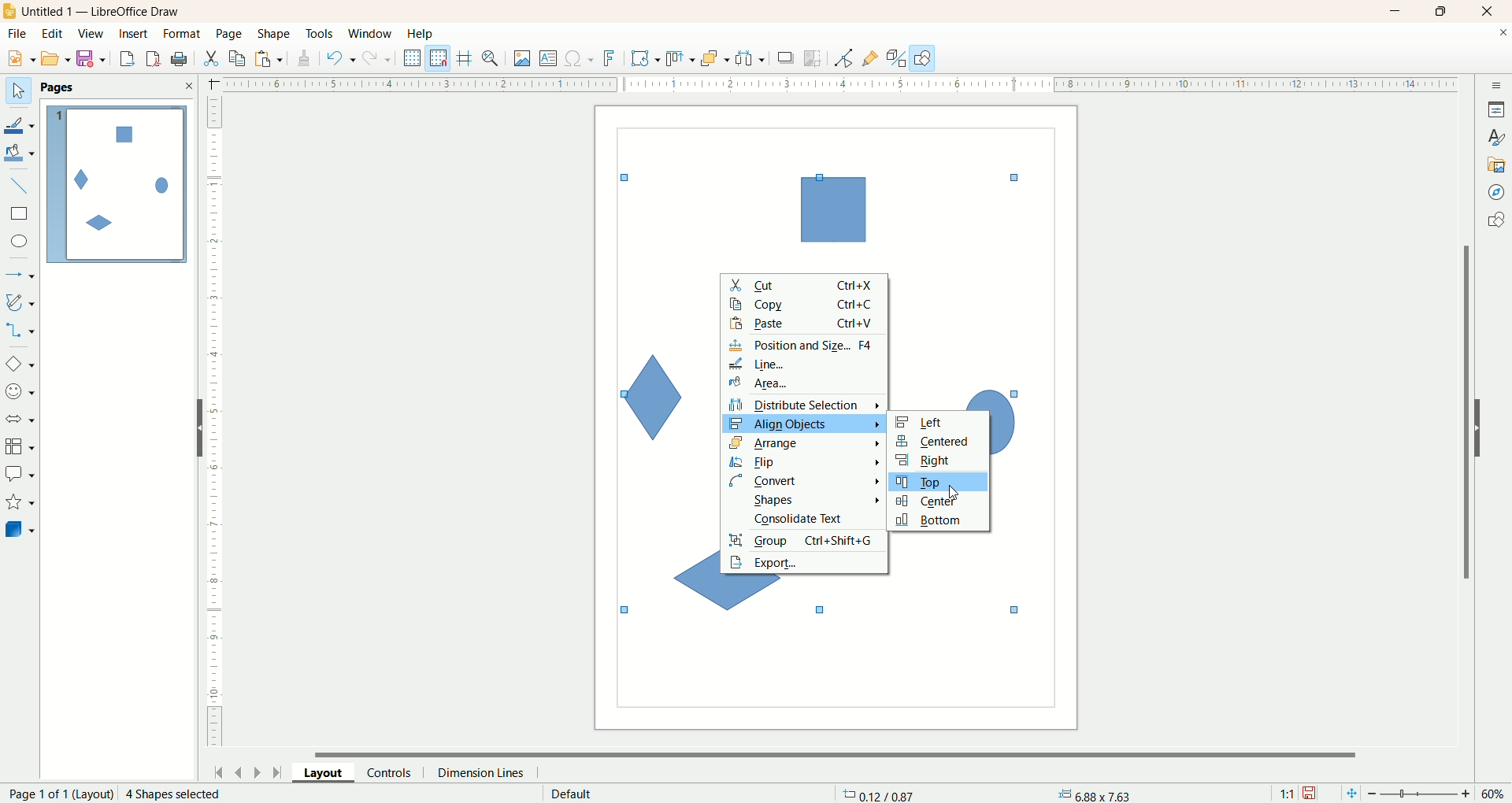 Image resolution: width=1512 pixels, height=803 pixels. What do you see at coordinates (550, 60) in the screenshot?
I see `text box` at bounding box center [550, 60].